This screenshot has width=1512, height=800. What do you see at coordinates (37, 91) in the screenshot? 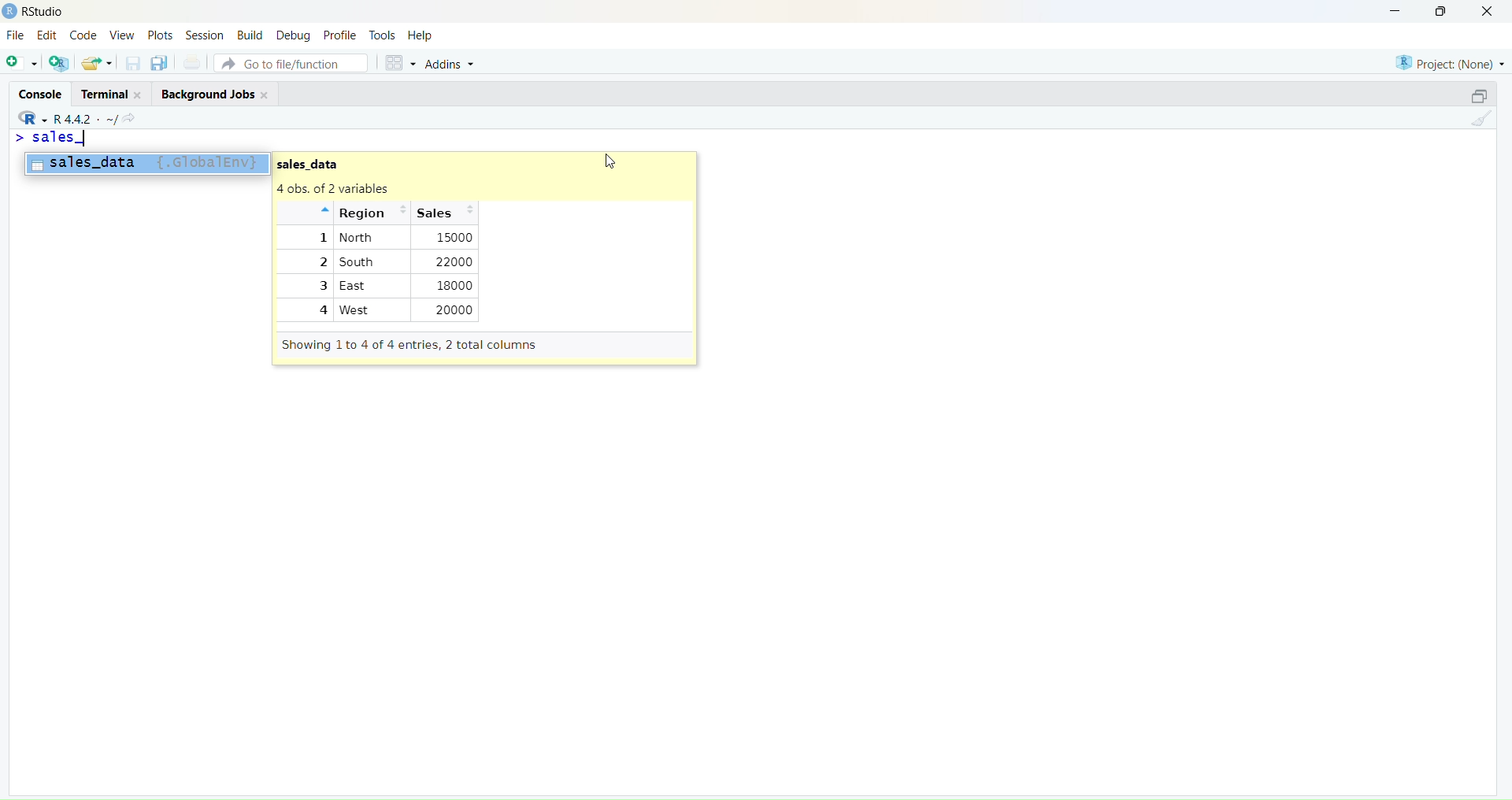
I see `Console` at bounding box center [37, 91].